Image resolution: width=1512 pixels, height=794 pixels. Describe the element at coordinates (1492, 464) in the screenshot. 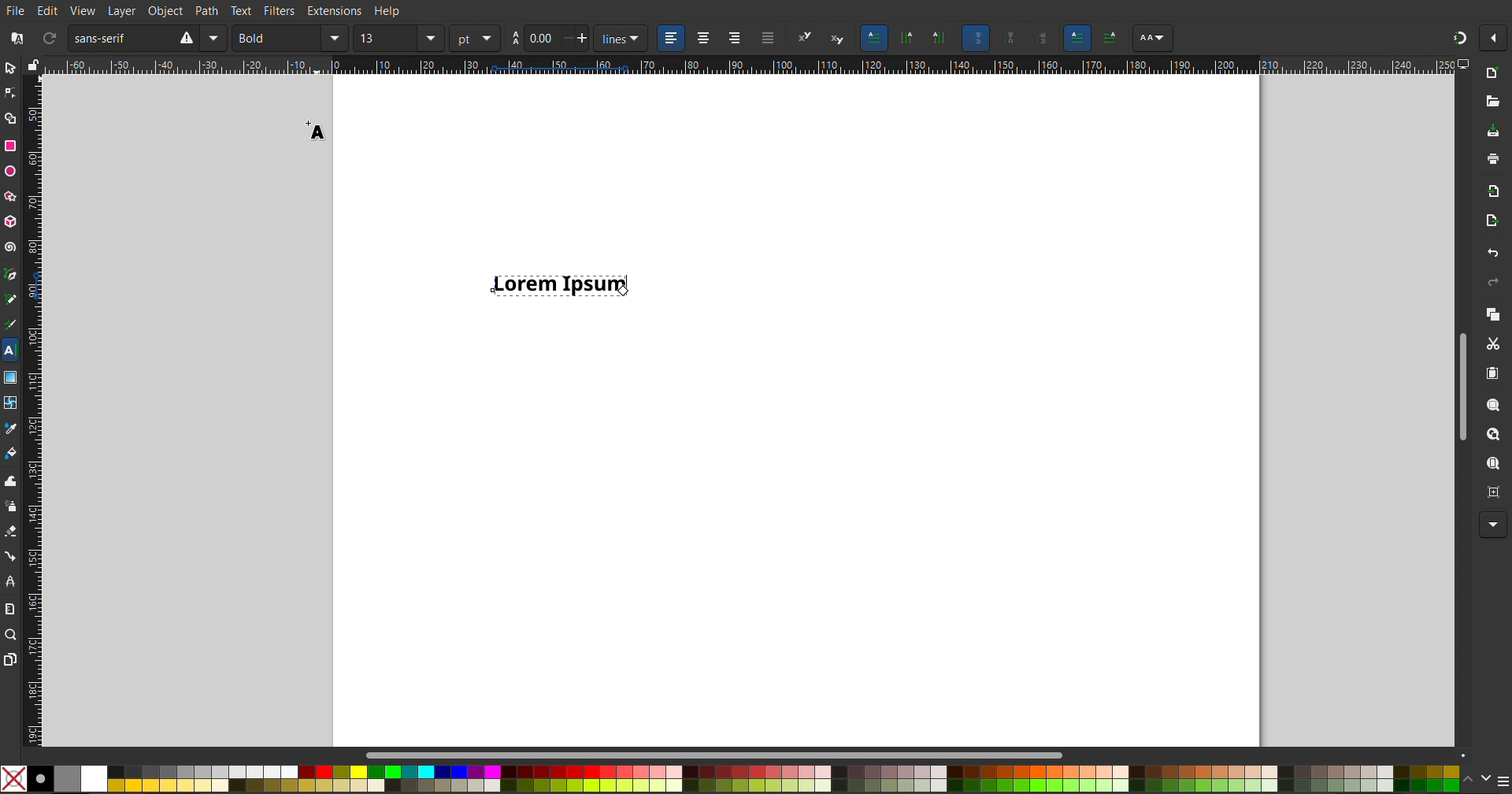

I see `Zoom Page` at that location.